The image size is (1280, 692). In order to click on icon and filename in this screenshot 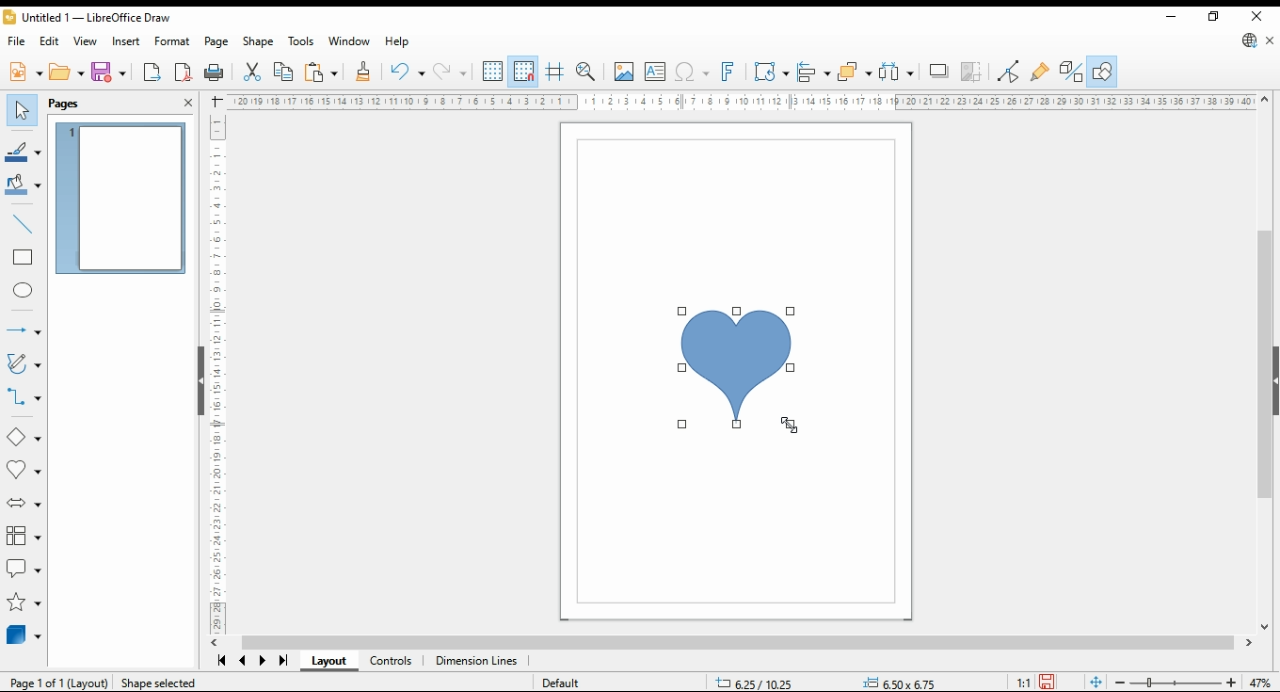, I will do `click(87, 17)`.